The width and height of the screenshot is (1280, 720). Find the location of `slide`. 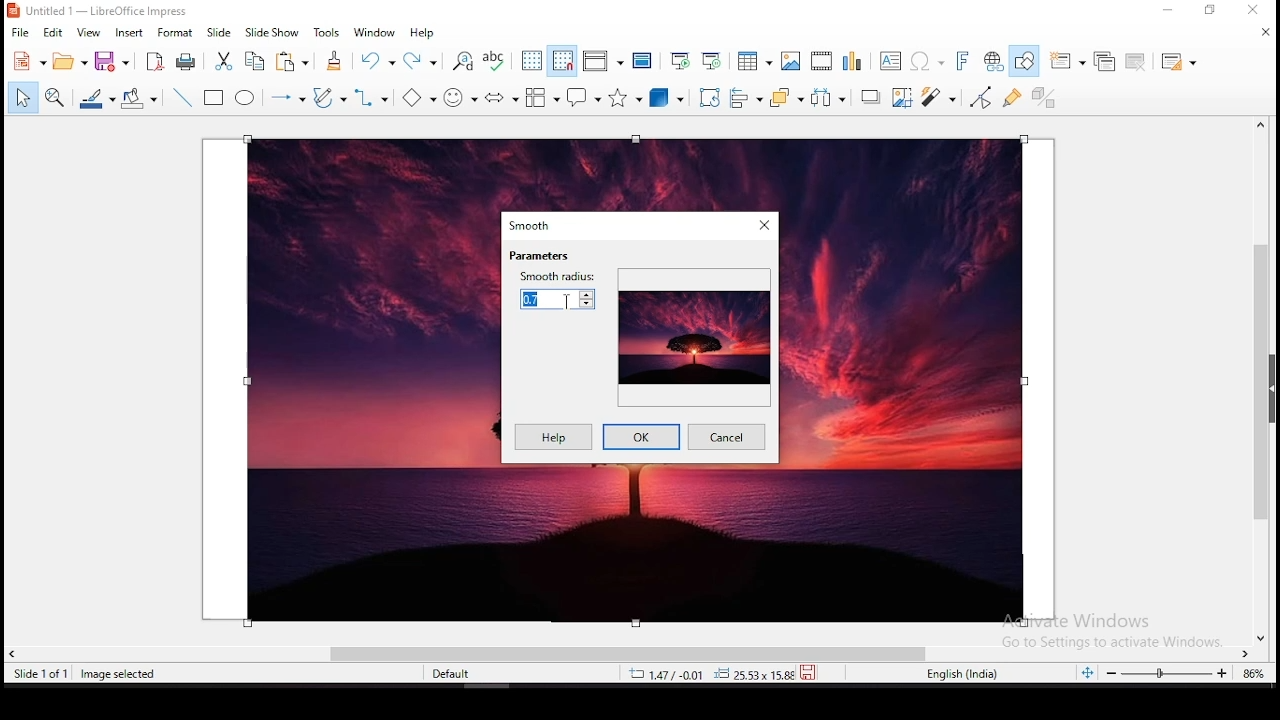

slide is located at coordinates (220, 32).